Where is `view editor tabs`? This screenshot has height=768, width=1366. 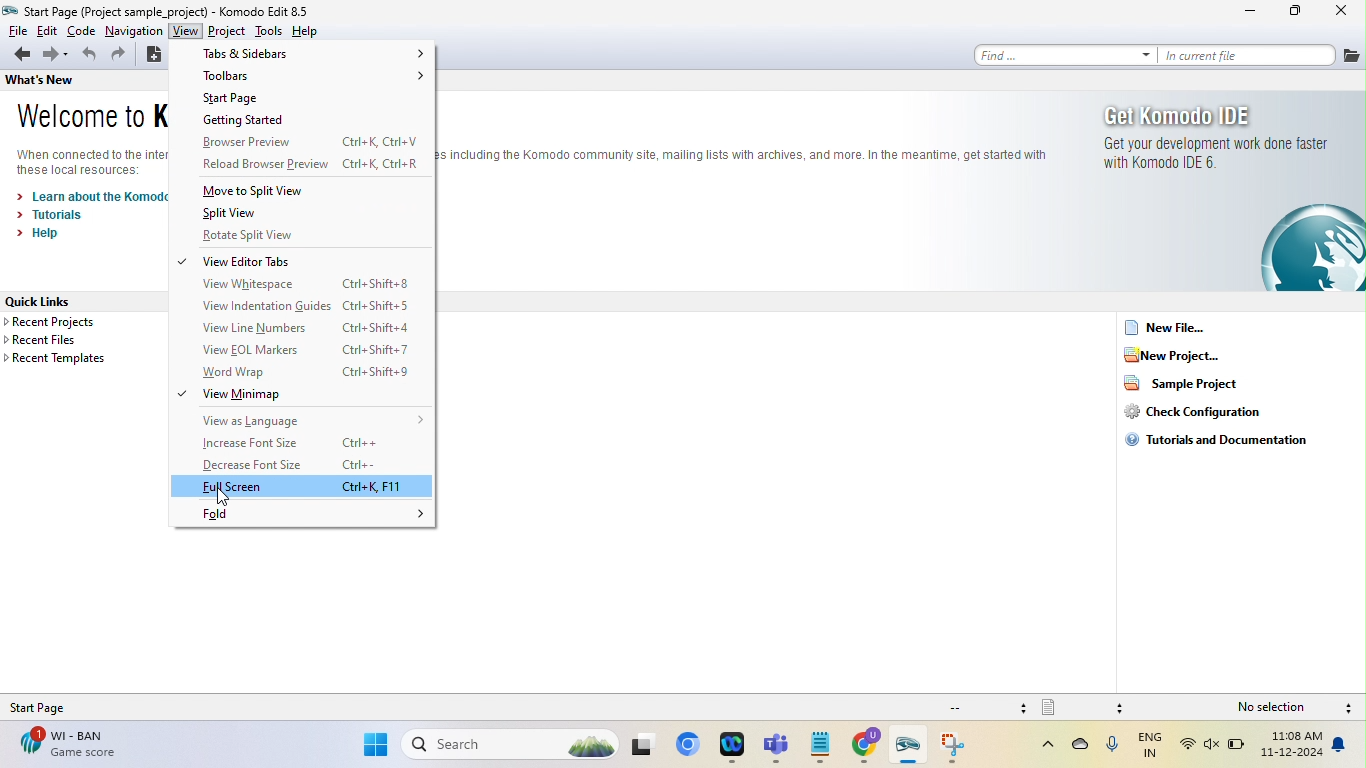 view editor tabs is located at coordinates (260, 261).